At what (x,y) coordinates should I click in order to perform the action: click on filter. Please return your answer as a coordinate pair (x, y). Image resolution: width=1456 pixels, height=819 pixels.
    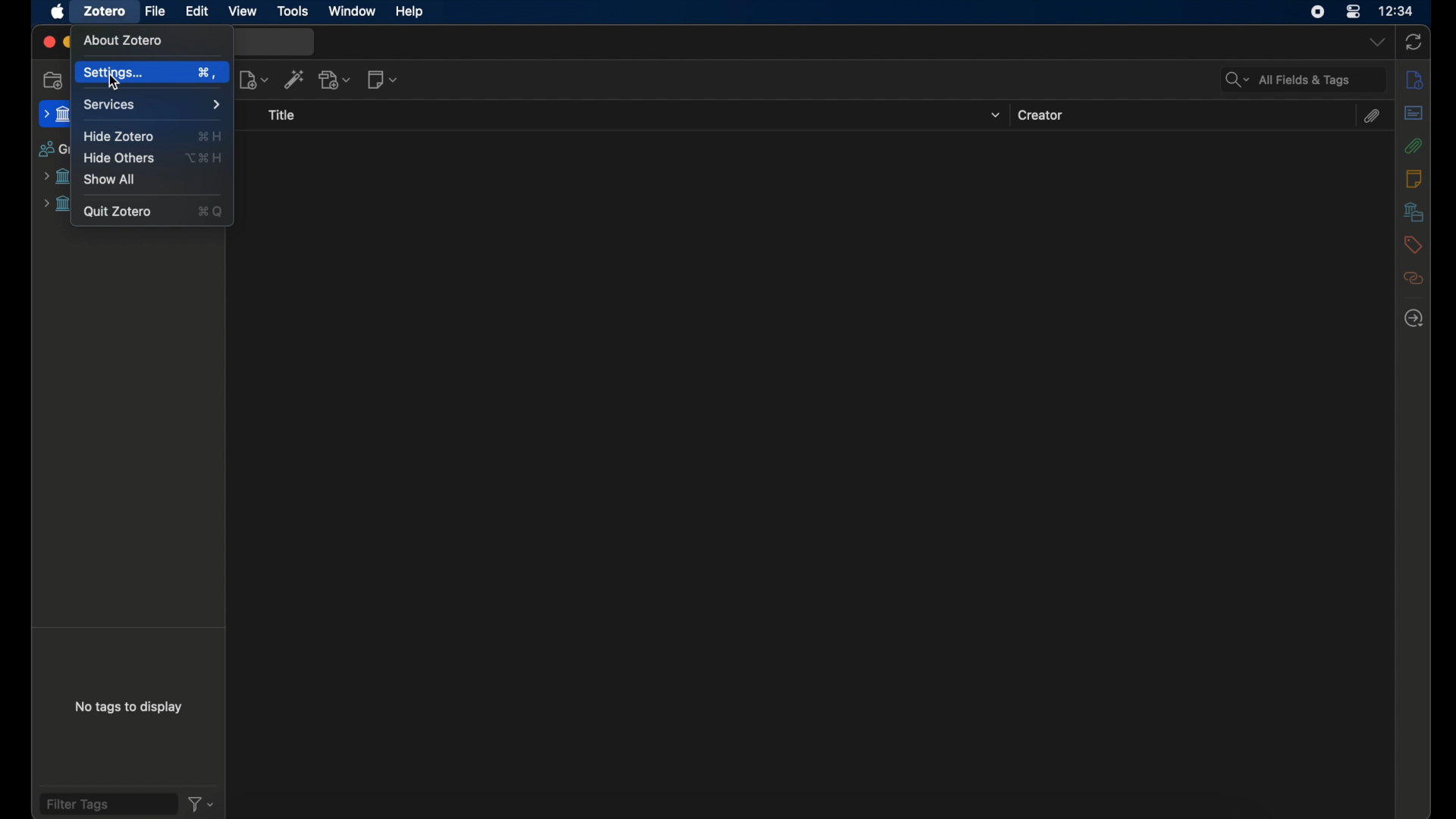
    Looking at the image, I should click on (200, 804).